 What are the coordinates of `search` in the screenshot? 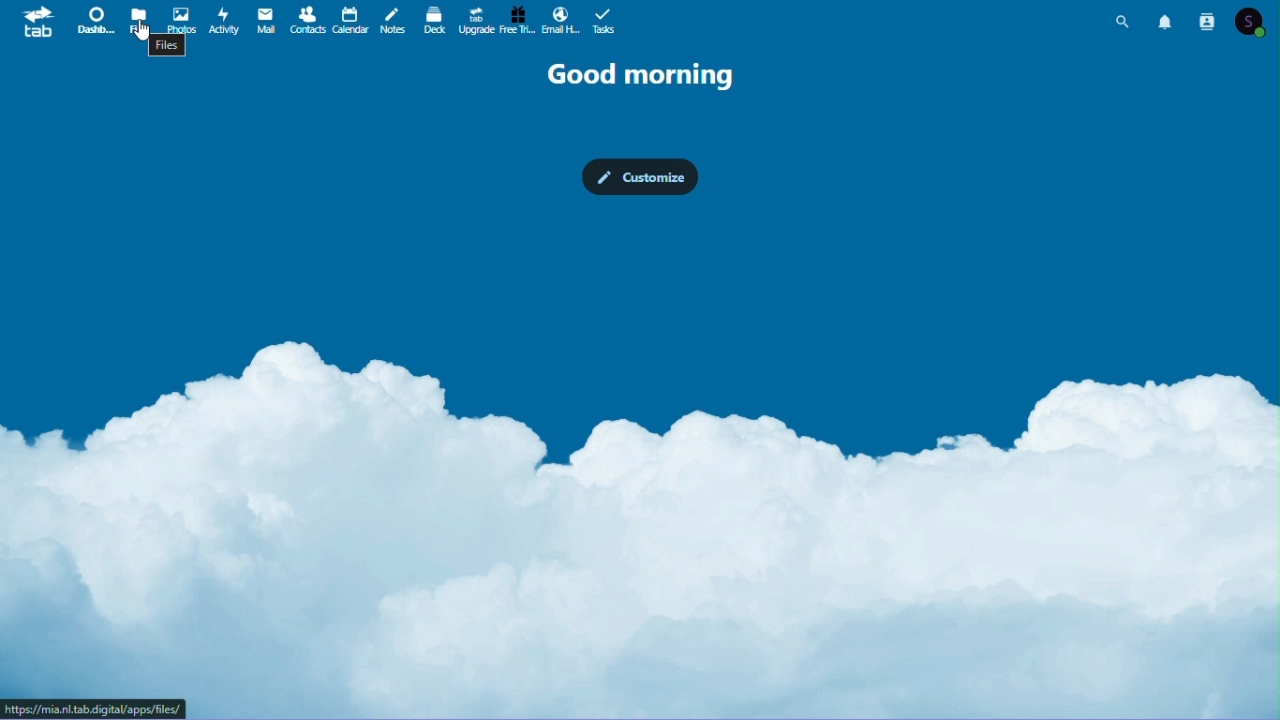 It's located at (1124, 22).